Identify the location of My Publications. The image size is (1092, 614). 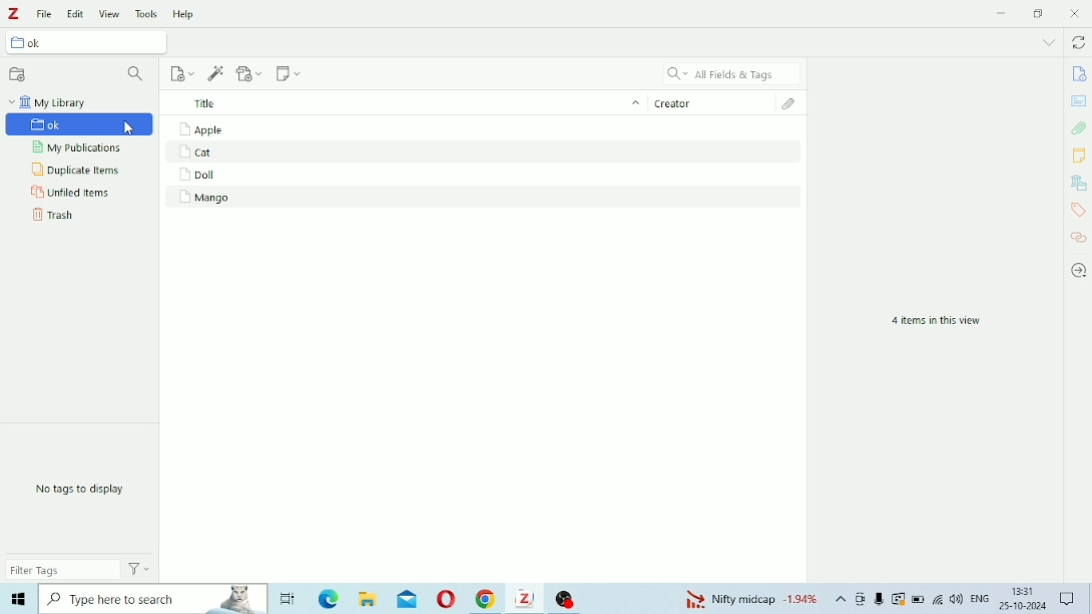
(80, 148).